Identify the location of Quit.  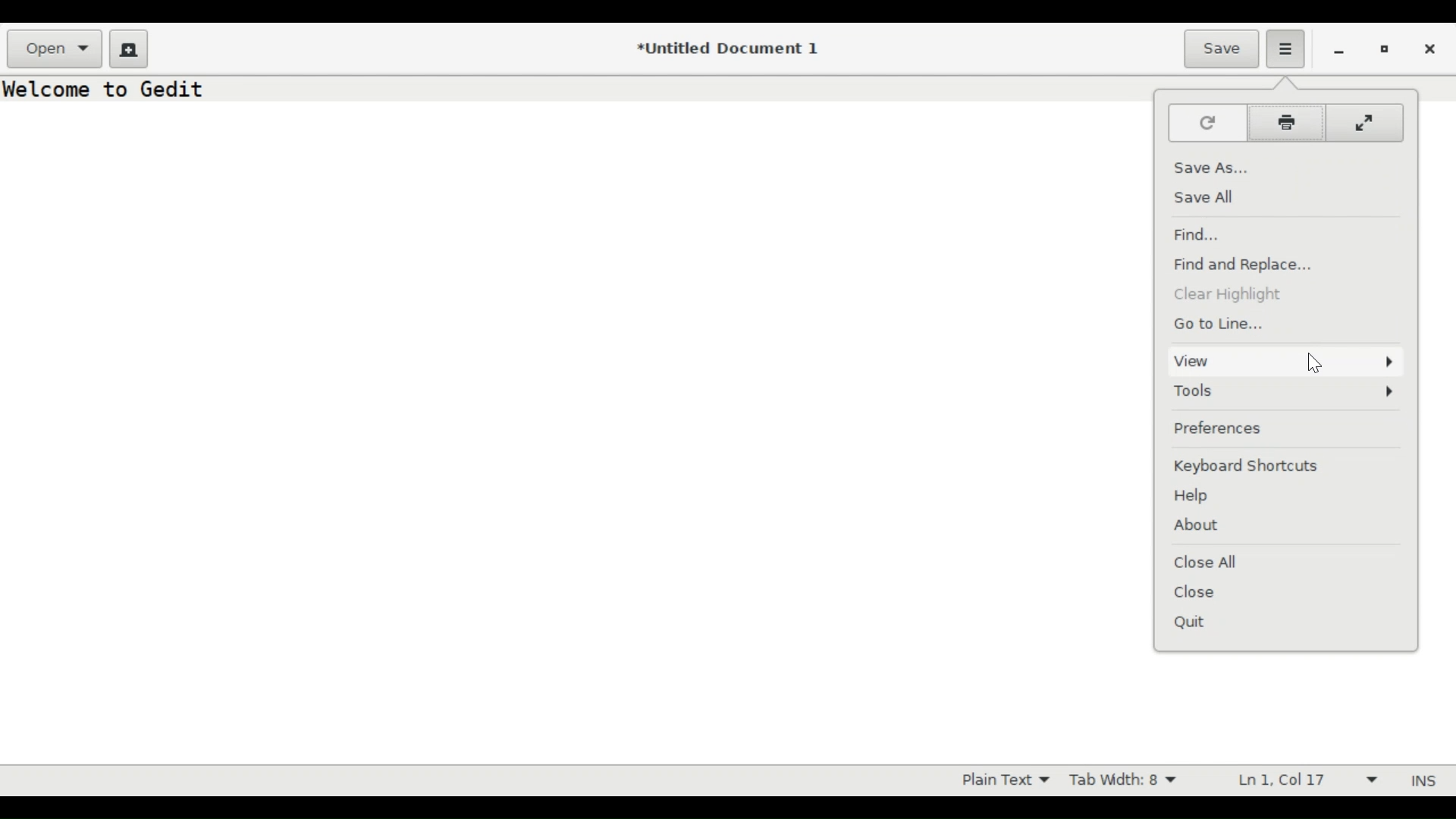
(1194, 623).